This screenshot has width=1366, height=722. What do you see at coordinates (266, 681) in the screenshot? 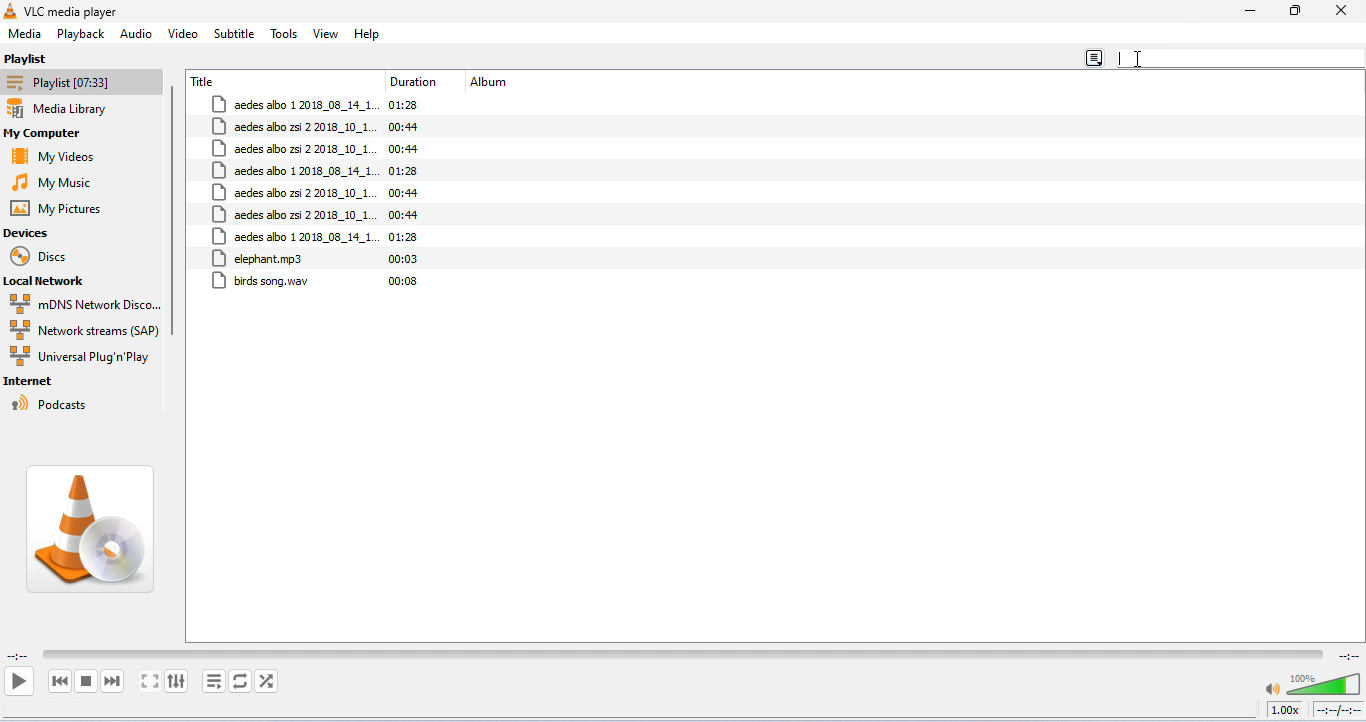
I see `random` at bounding box center [266, 681].